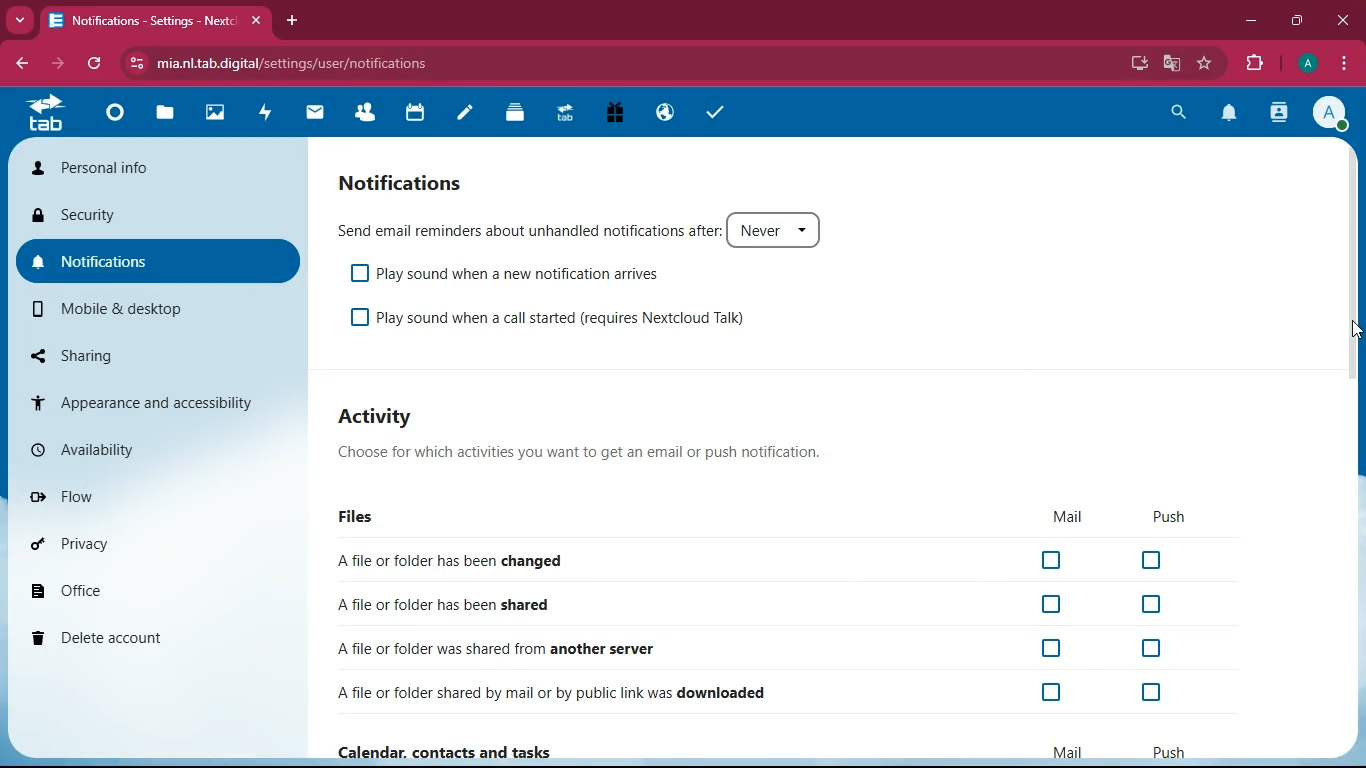 The image size is (1366, 768). I want to click on A file or folder was shared from another server, so click(497, 651).